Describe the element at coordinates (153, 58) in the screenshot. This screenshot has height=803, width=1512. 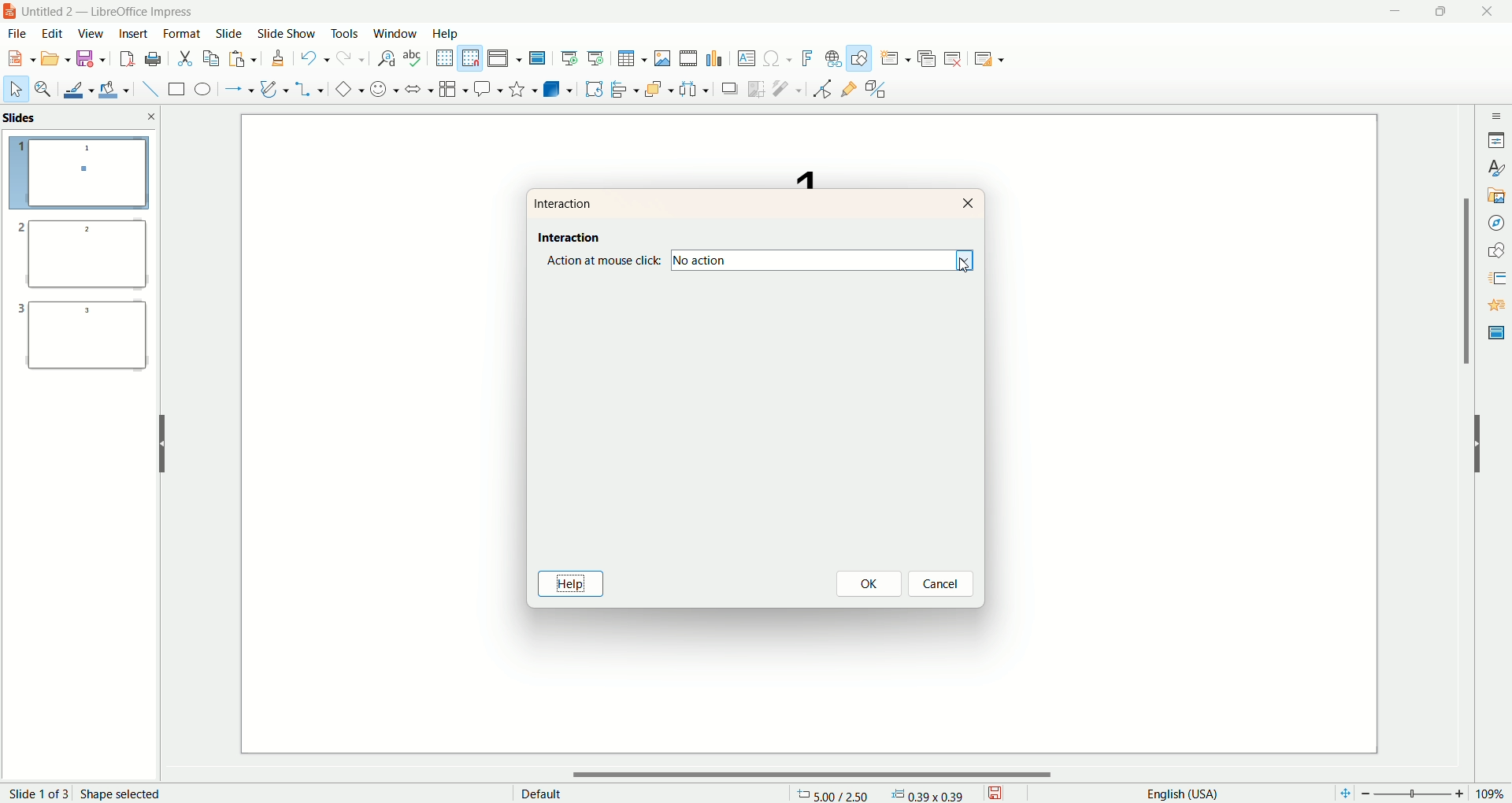
I see `print` at that location.